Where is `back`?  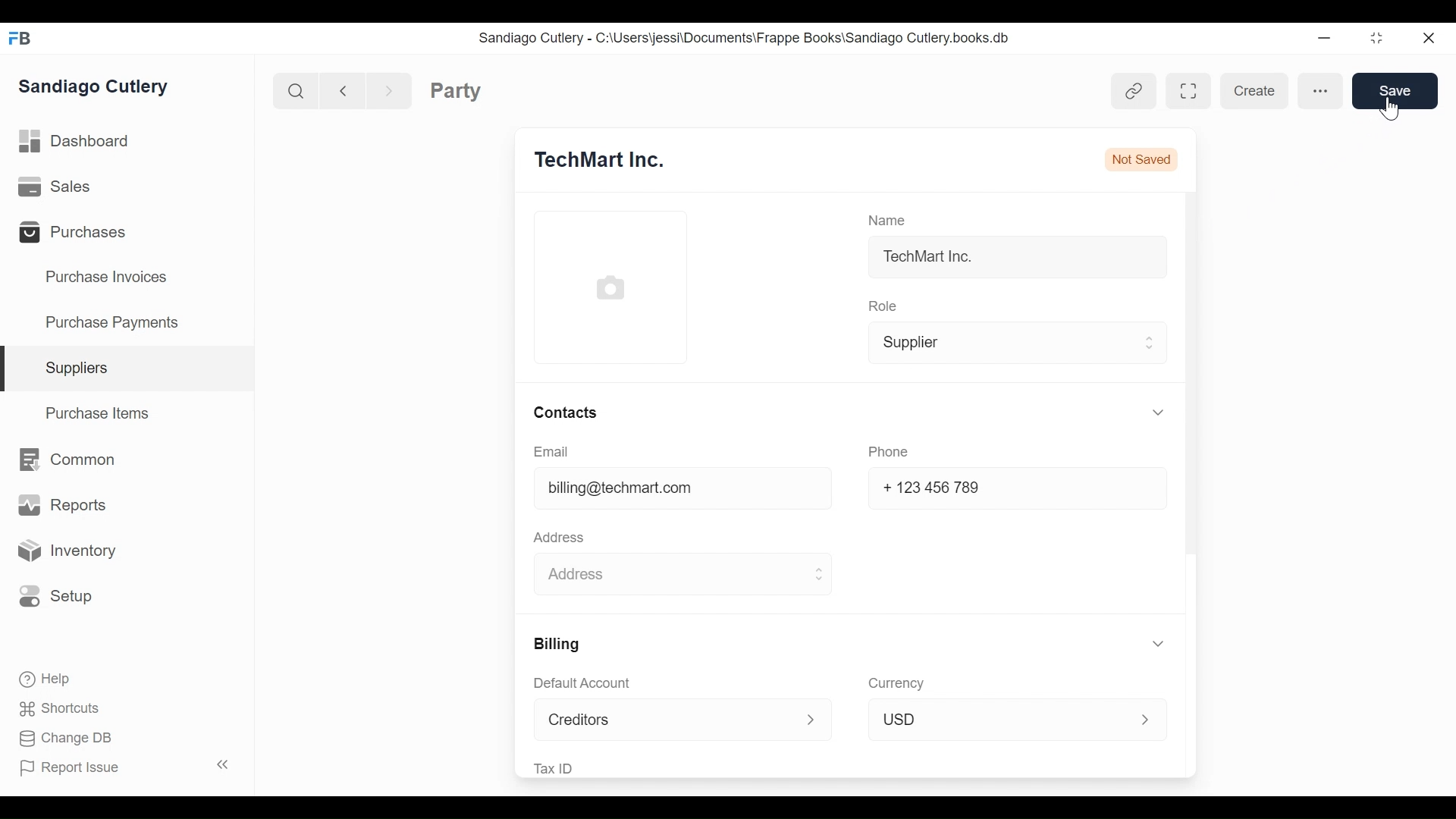
back is located at coordinates (347, 89).